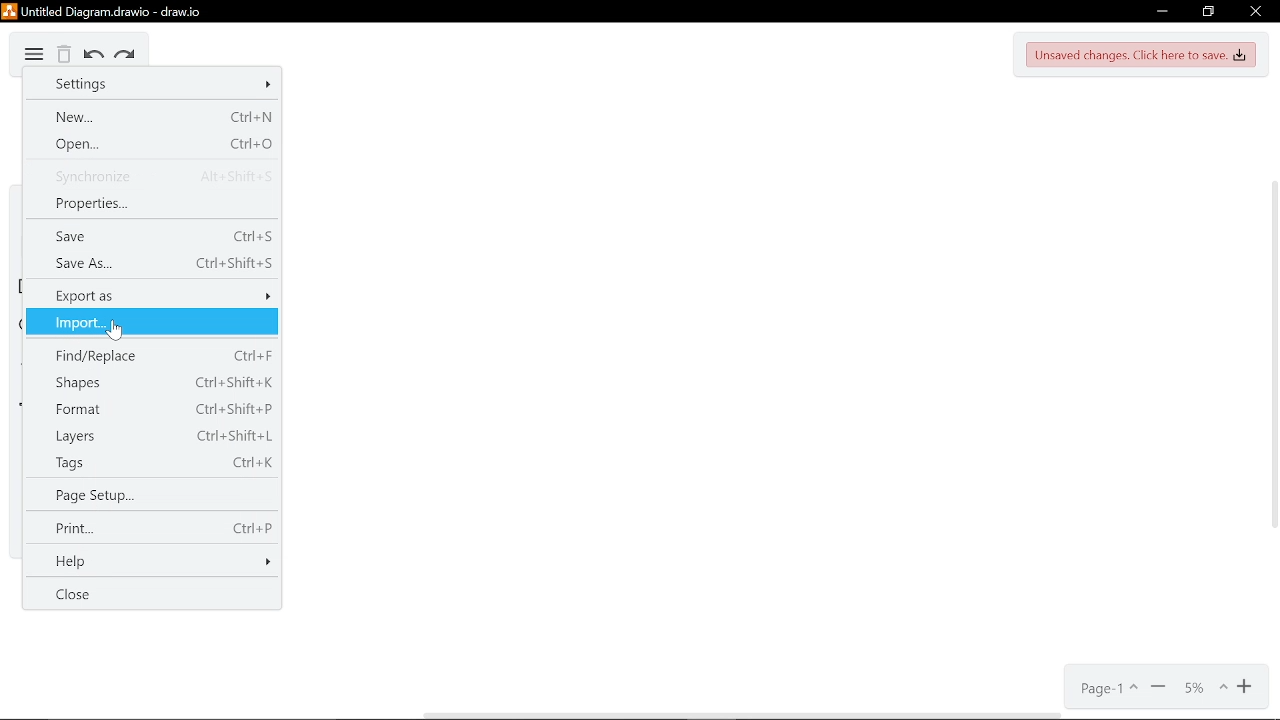 The height and width of the screenshot is (720, 1280). Describe the element at coordinates (33, 55) in the screenshot. I see `Diagram` at that location.